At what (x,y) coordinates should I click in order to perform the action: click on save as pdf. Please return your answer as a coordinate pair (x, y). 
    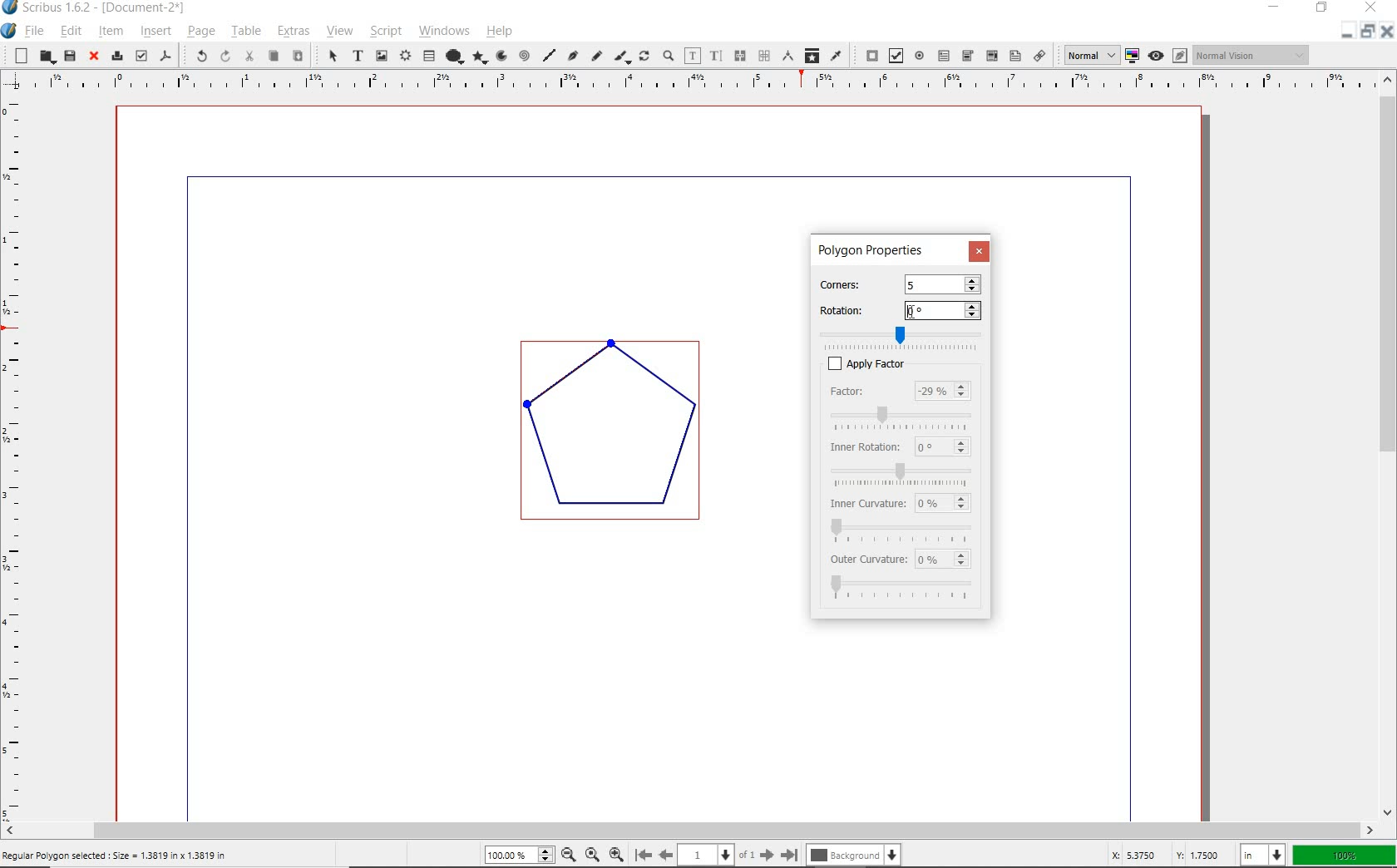
    Looking at the image, I should click on (166, 55).